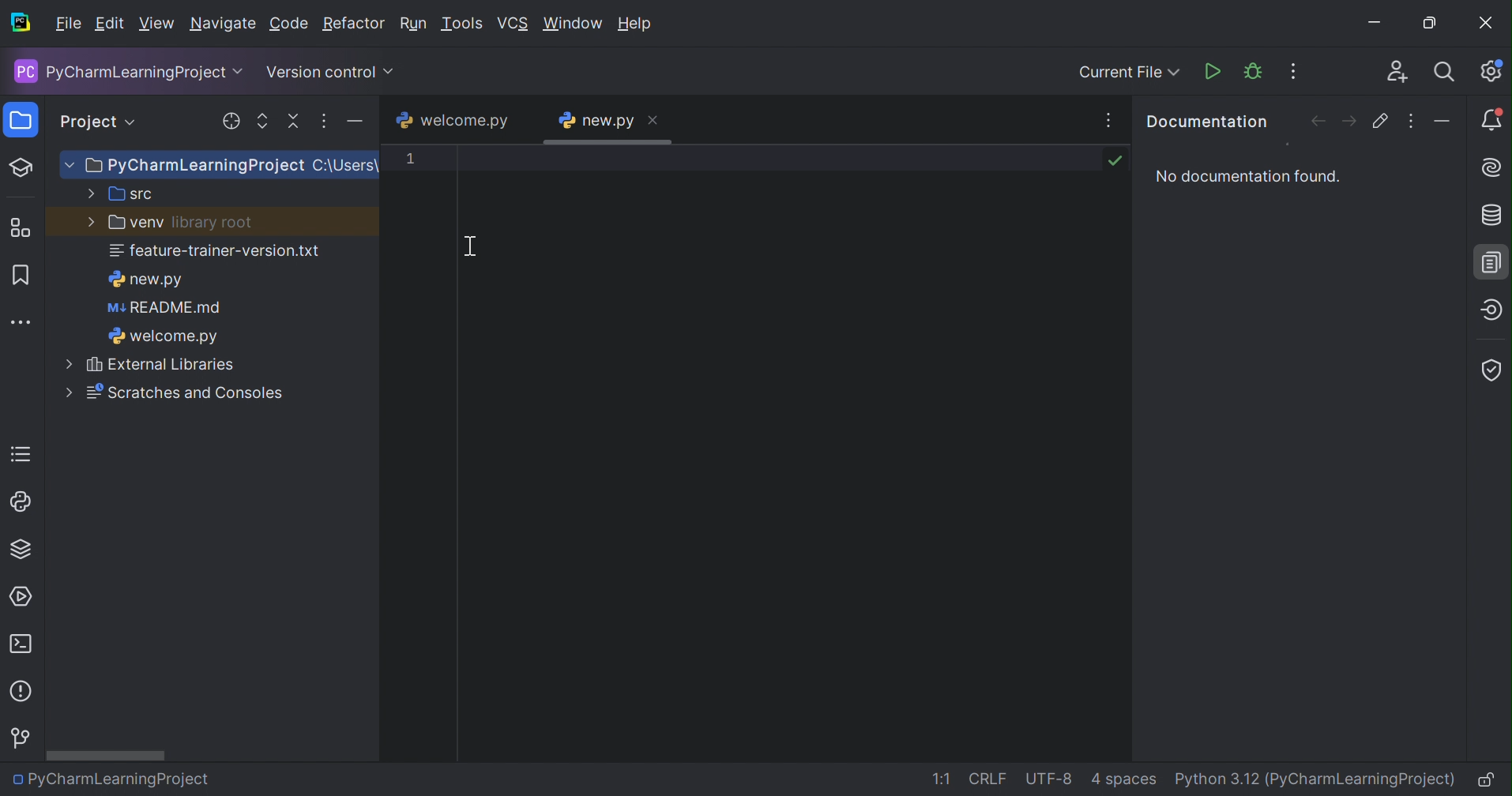  What do you see at coordinates (292, 122) in the screenshot?
I see `collapse all` at bounding box center [292, 122].